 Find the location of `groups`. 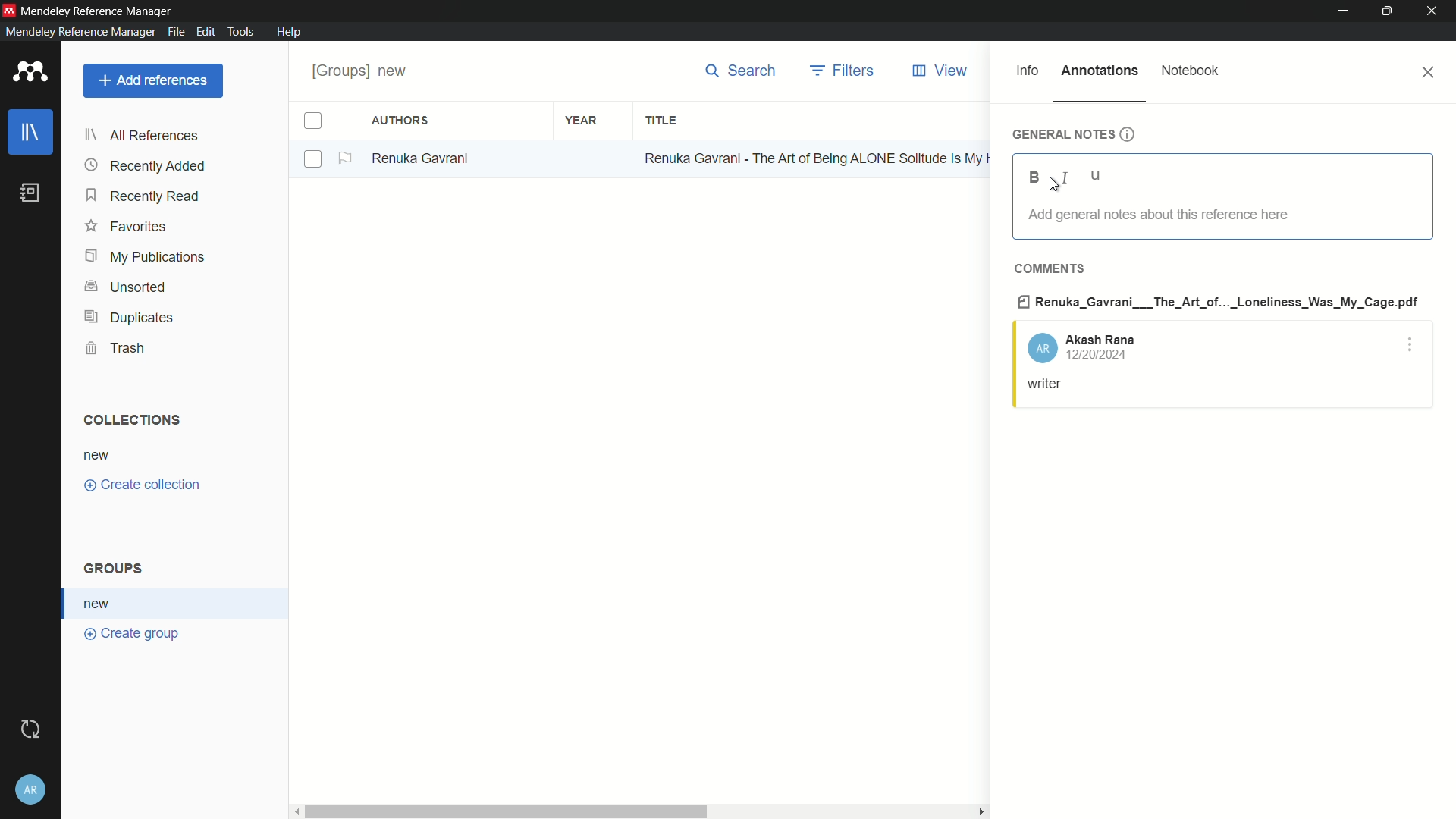

groups is located at coordinates (117, 570).